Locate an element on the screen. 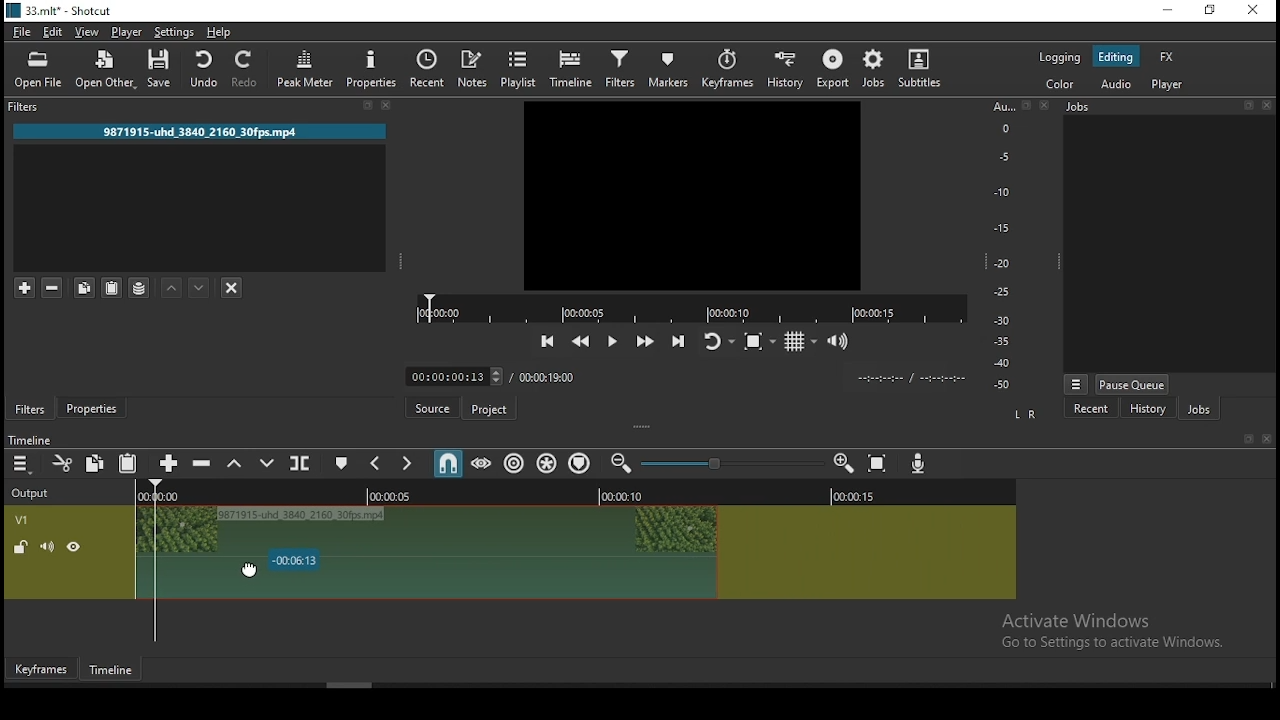 The height and width of the screenshot is (720, 1280). copy selected filter is located at coordinates (84, 284).